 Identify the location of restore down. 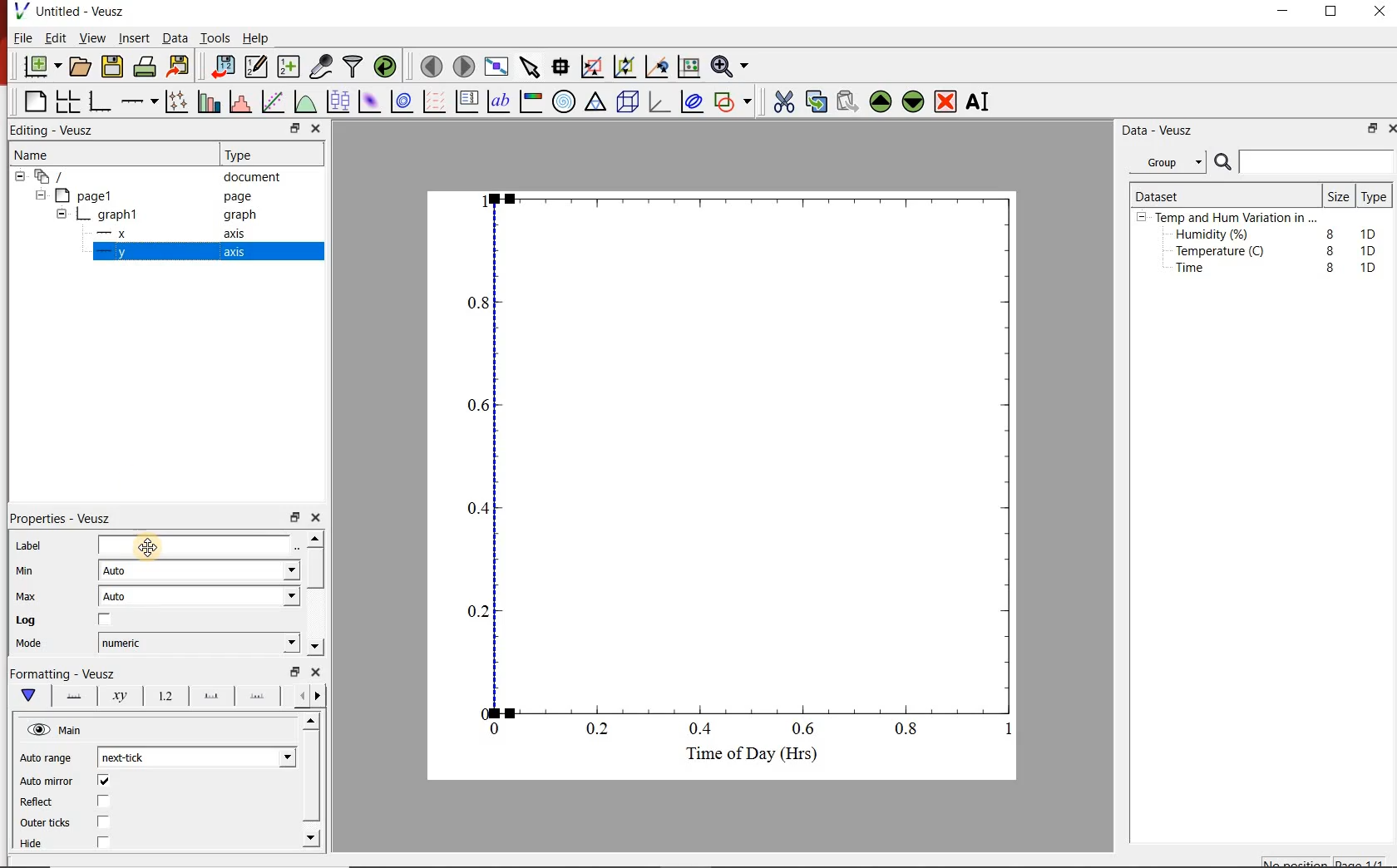
(284, 128).